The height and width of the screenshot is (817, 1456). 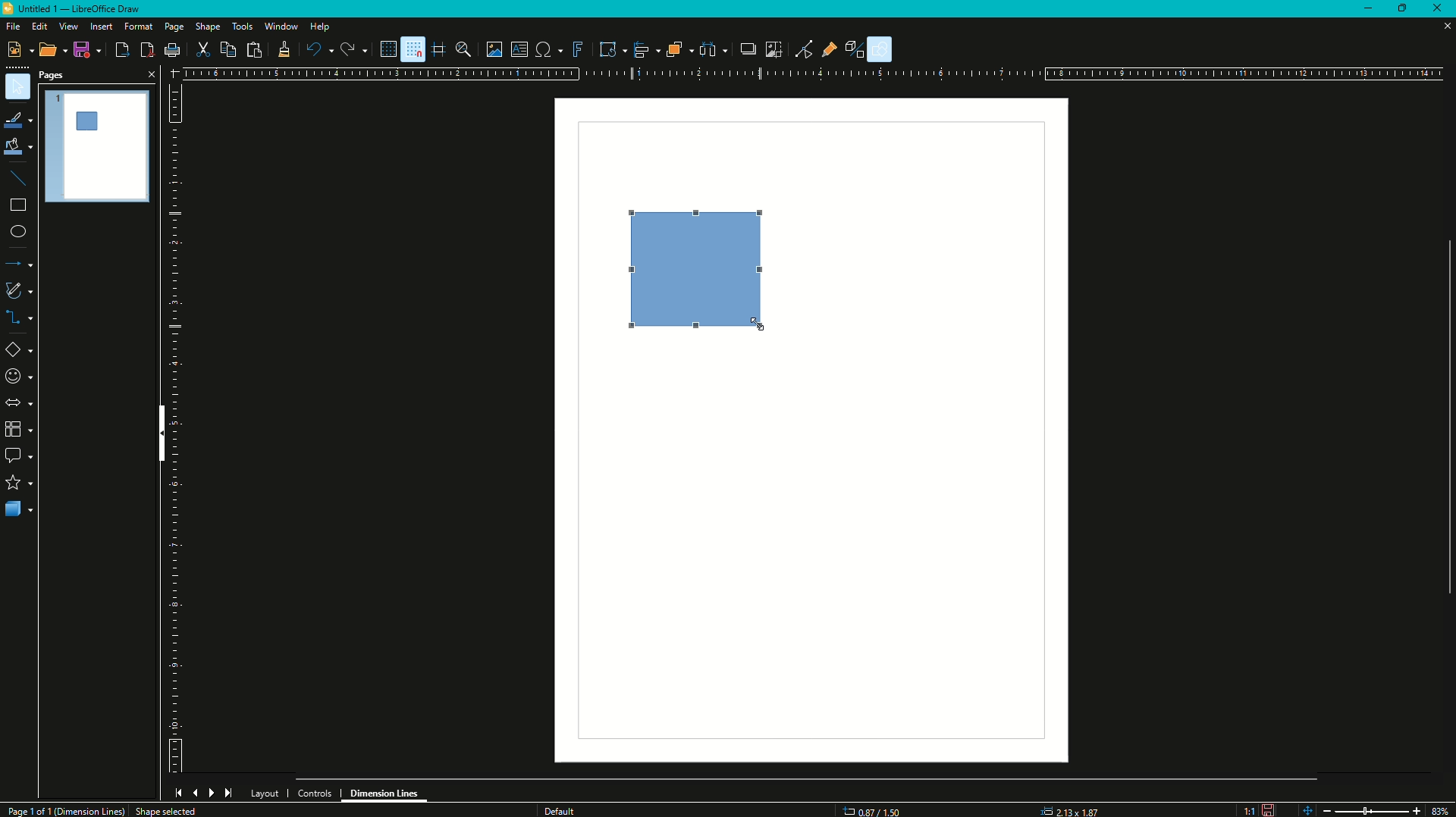 I want to click on Lines, so click(x=19, y=178).